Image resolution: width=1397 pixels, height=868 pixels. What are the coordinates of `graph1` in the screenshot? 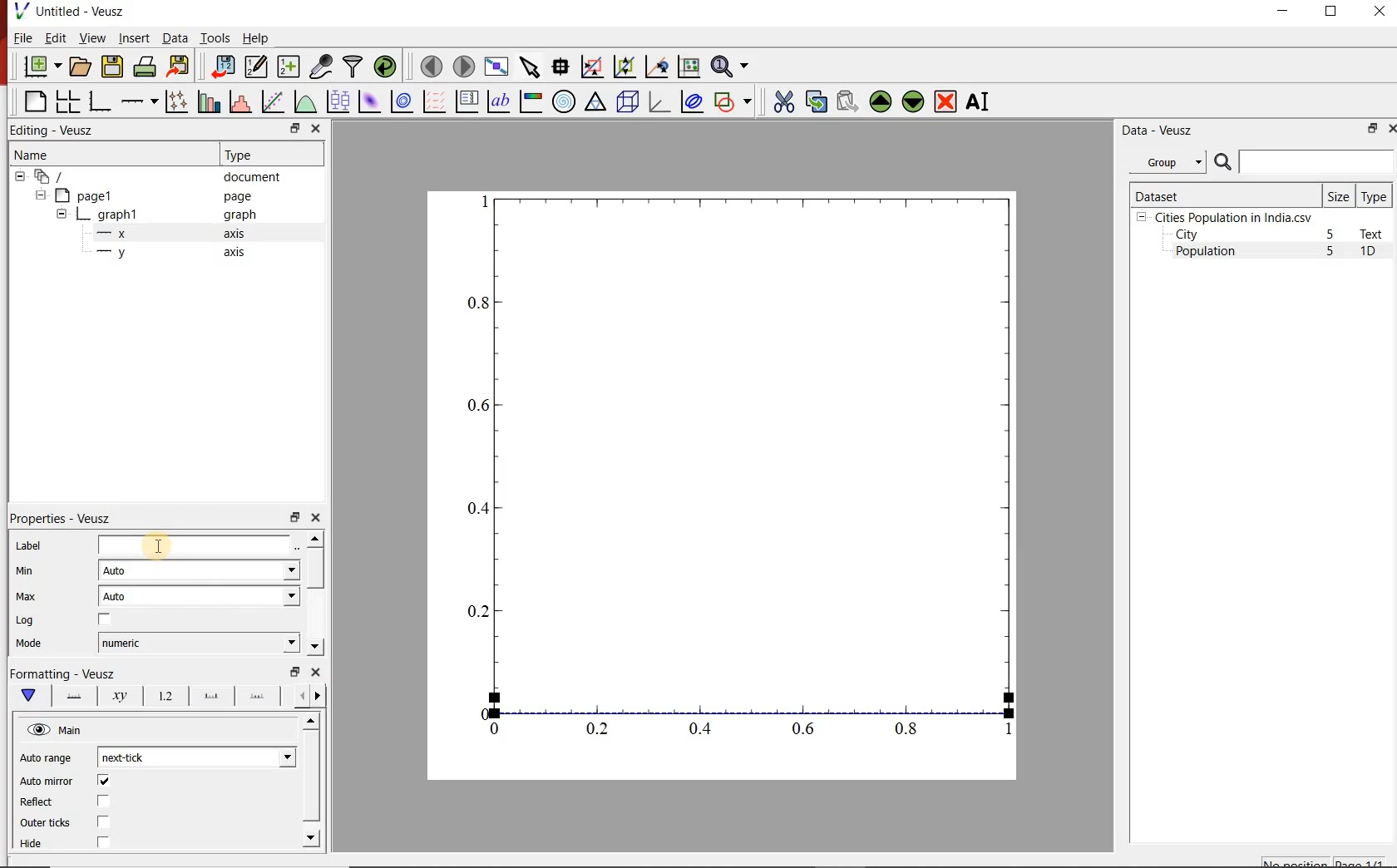 It's located at (159, 215).